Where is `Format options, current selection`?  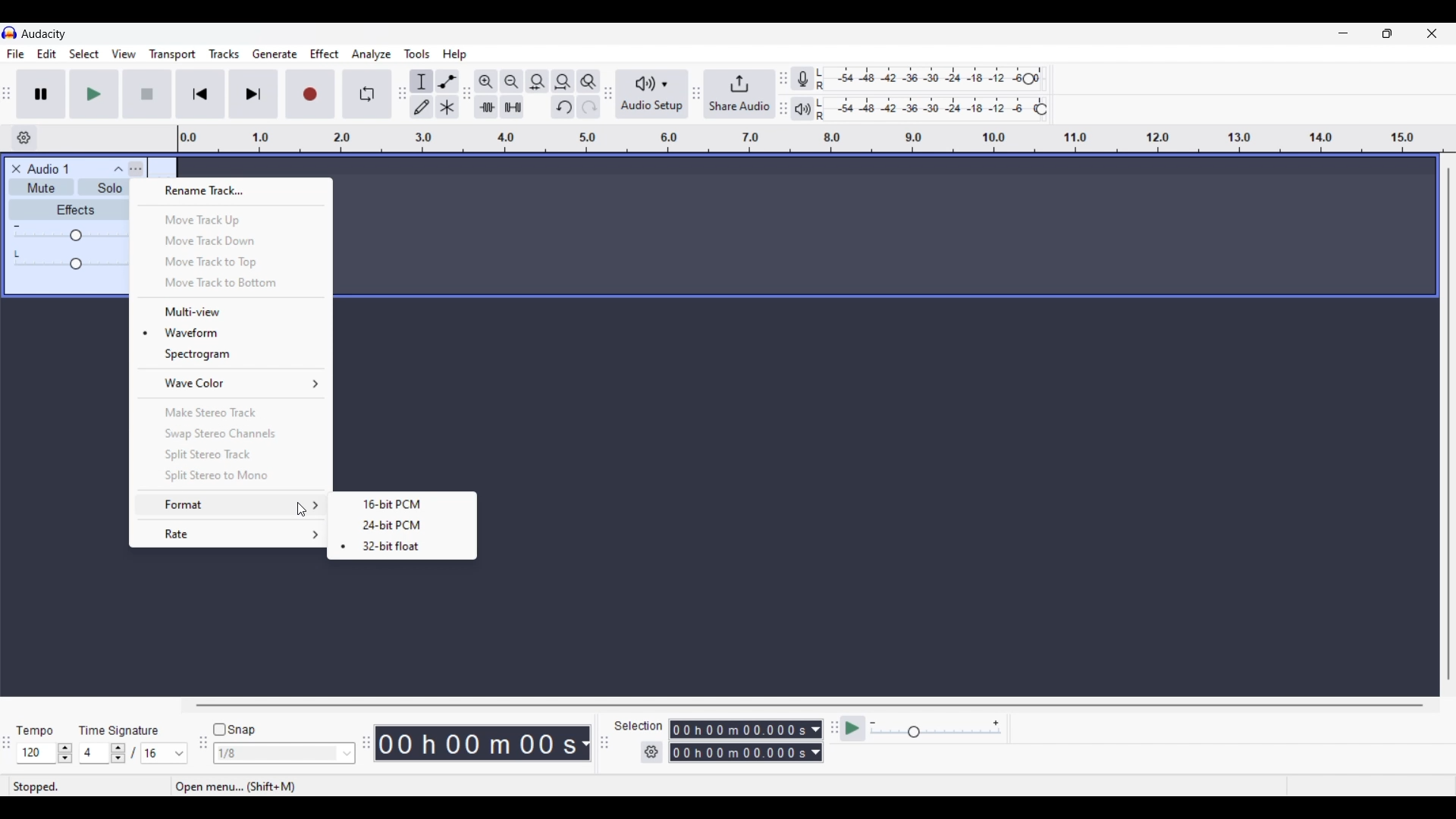
Format options, current selection is located at coordinates (230, 505).